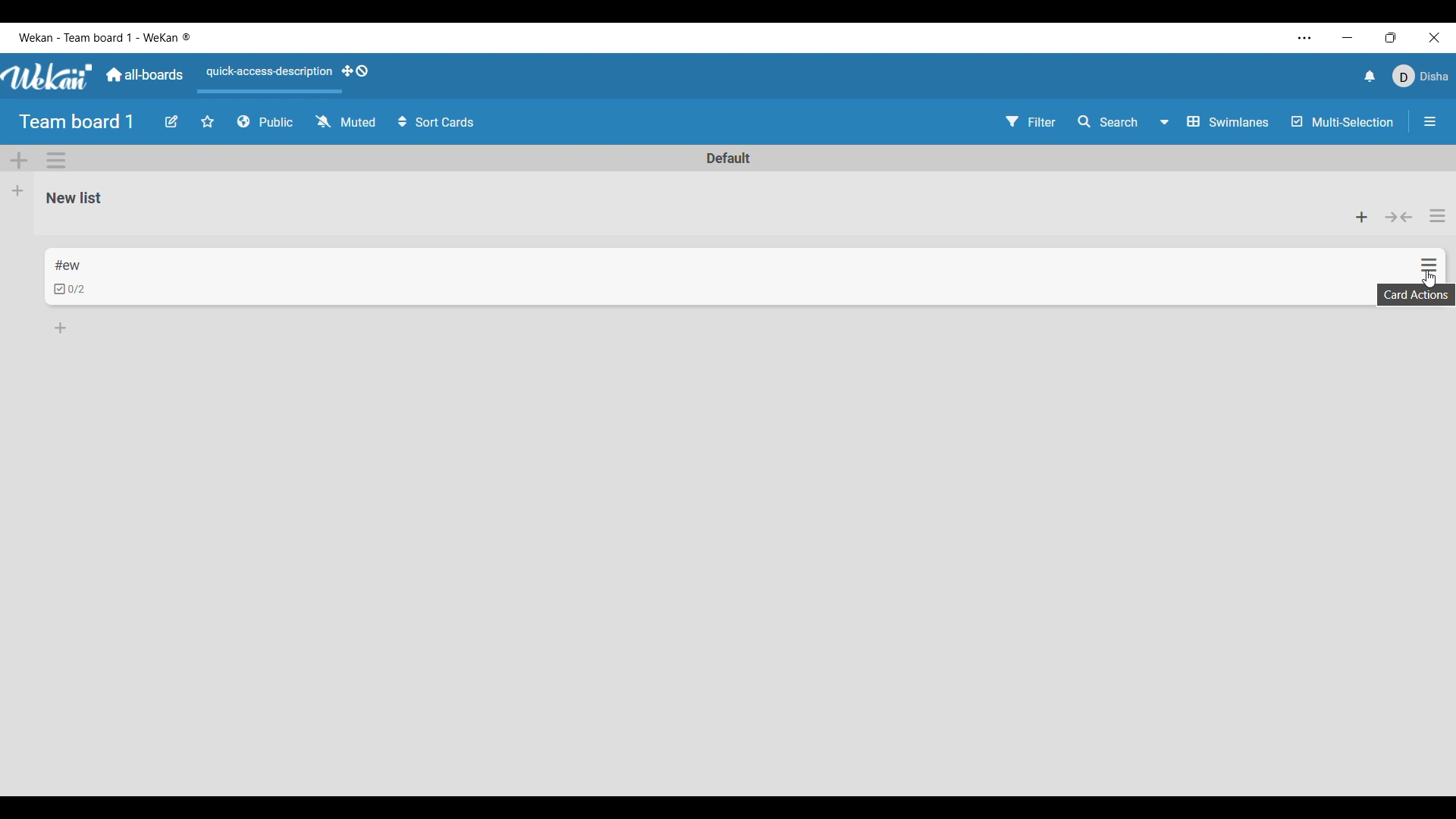  Describe the element at coordinates (1362, 217) in the screenshot. I see `Add card to the top of list` at that location.